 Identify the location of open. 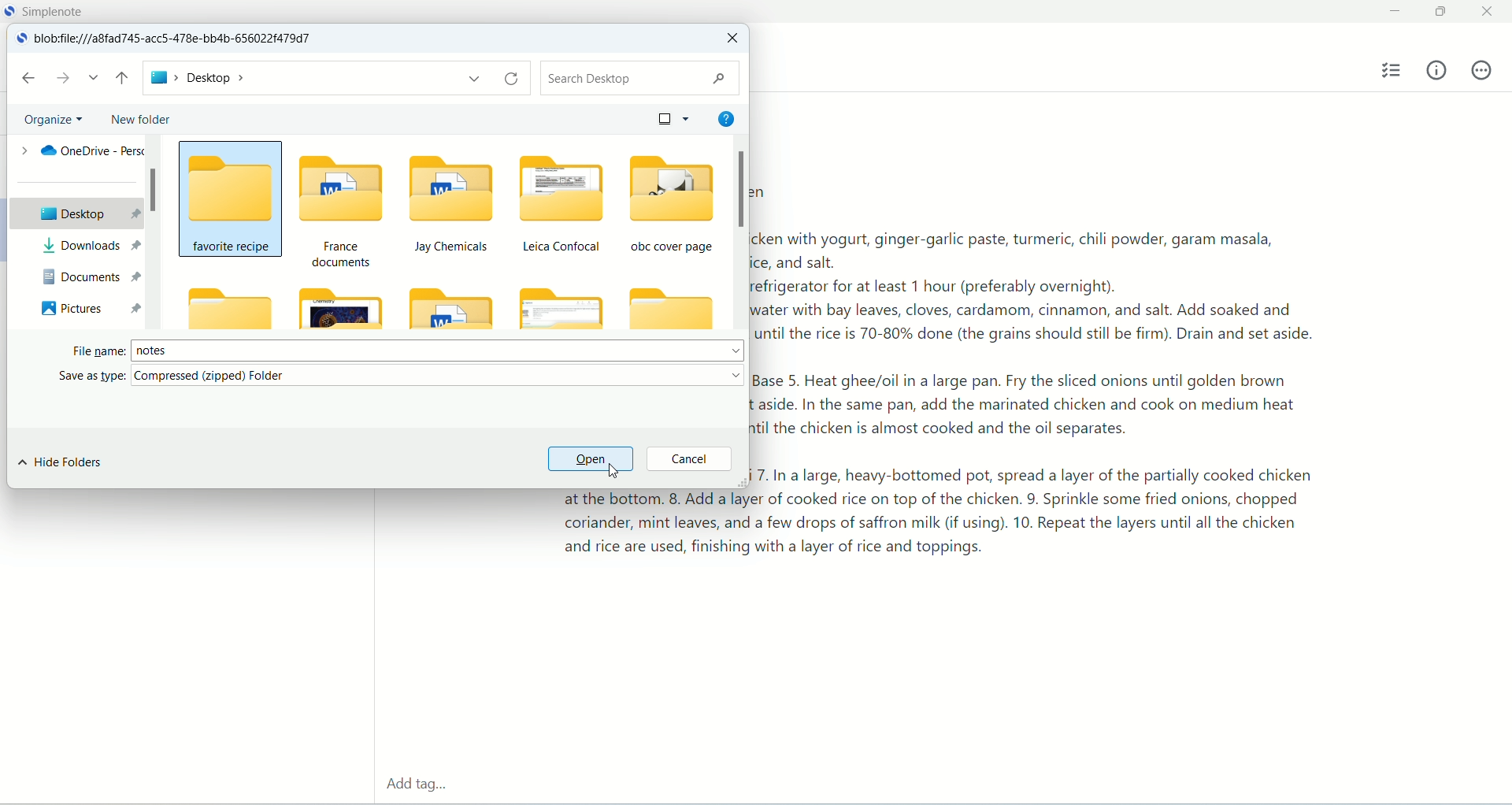
(589, 460).